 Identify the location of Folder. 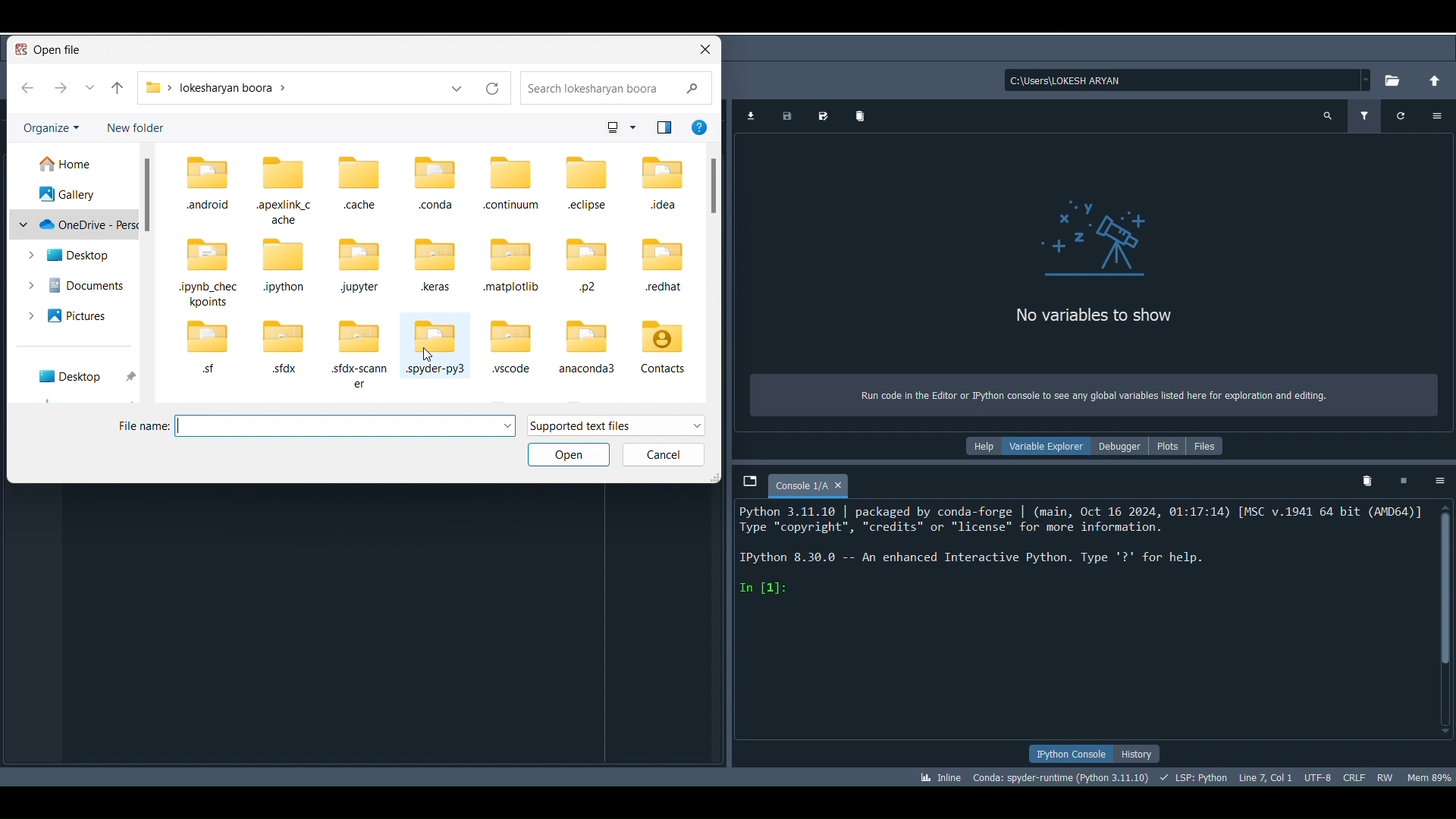
(516, 187).